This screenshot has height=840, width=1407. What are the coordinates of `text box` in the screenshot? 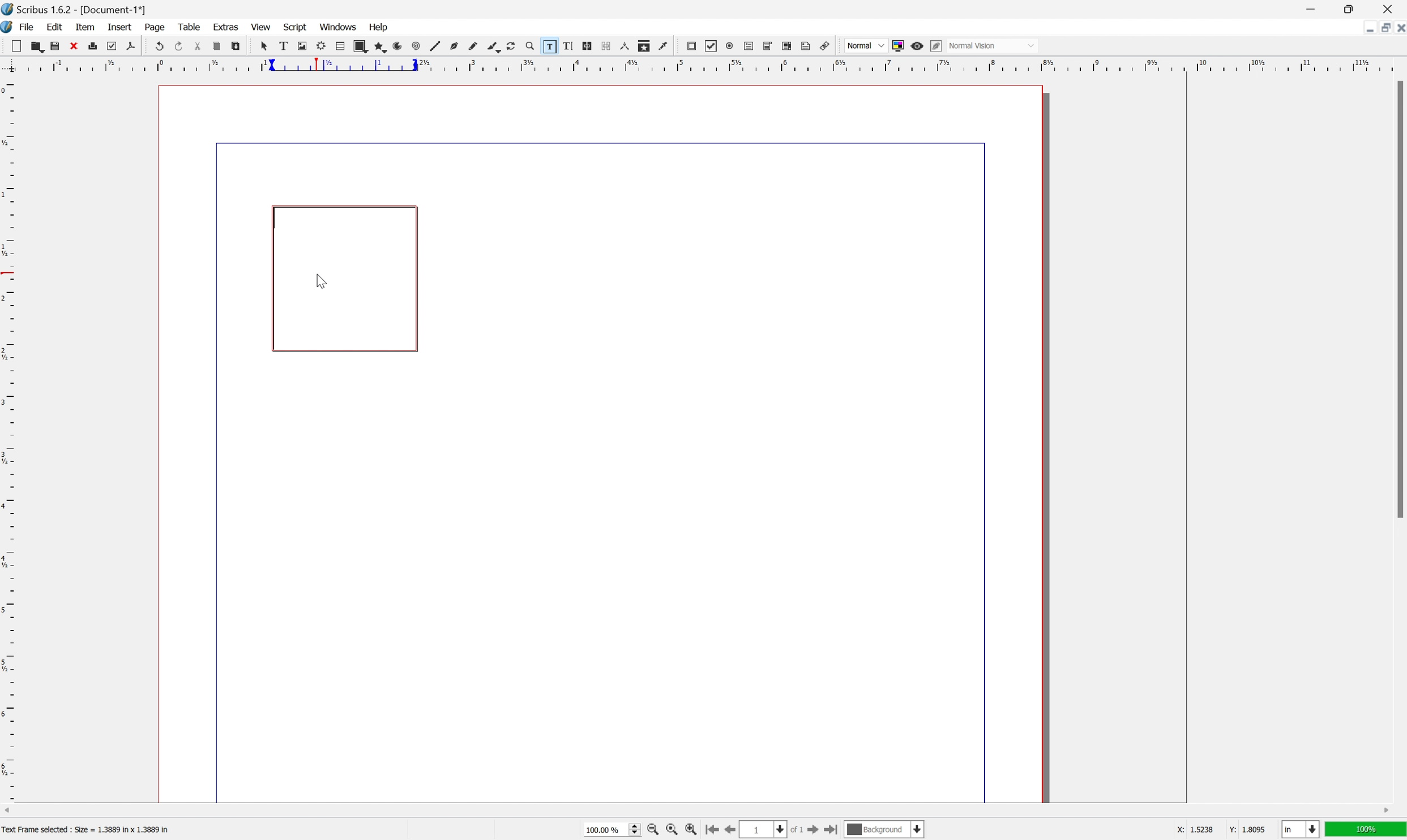 It's located at (345, 280).